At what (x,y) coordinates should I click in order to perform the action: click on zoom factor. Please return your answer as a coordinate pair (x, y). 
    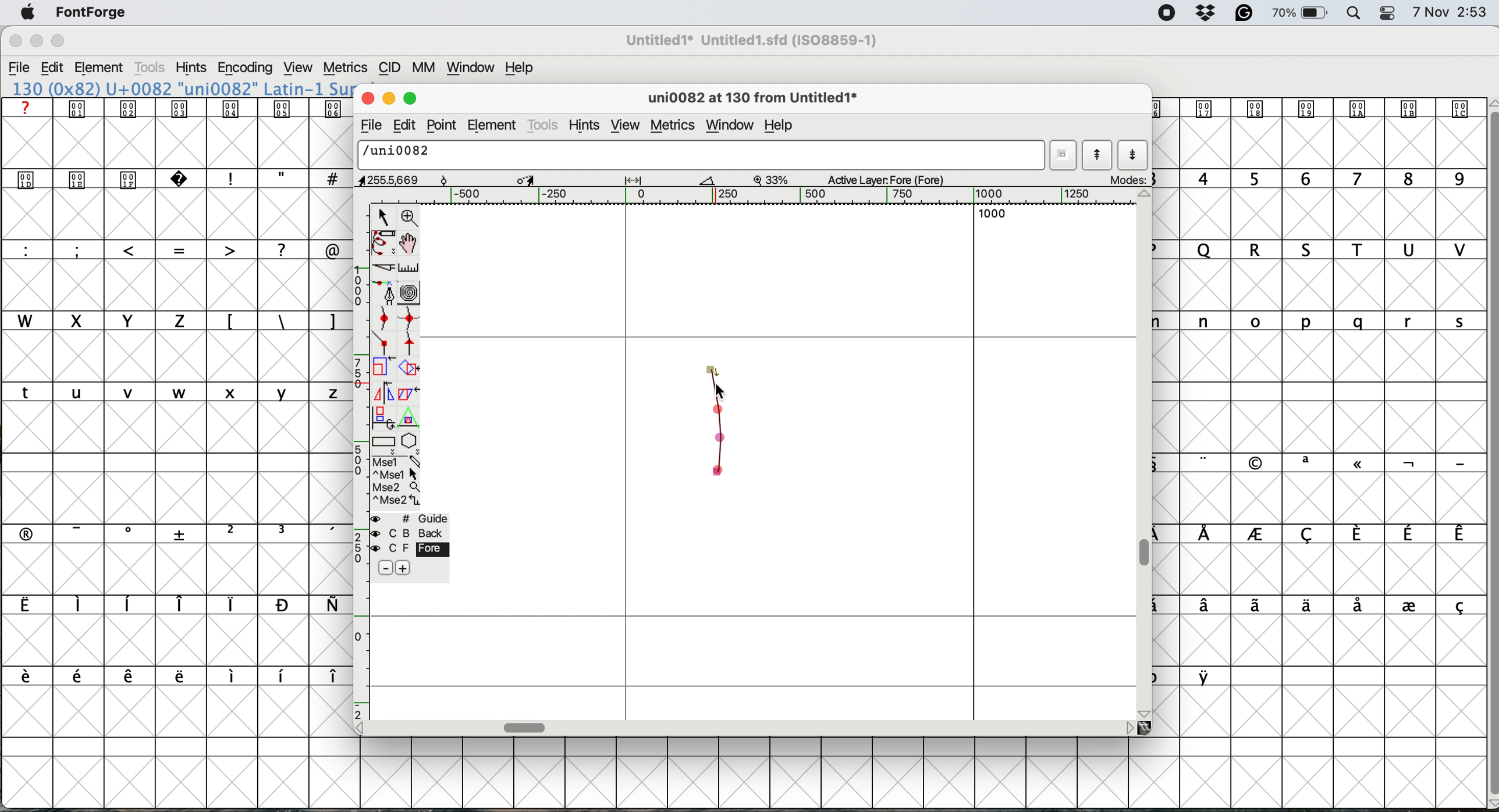
    Looking at the image, I should click on (773, 179).